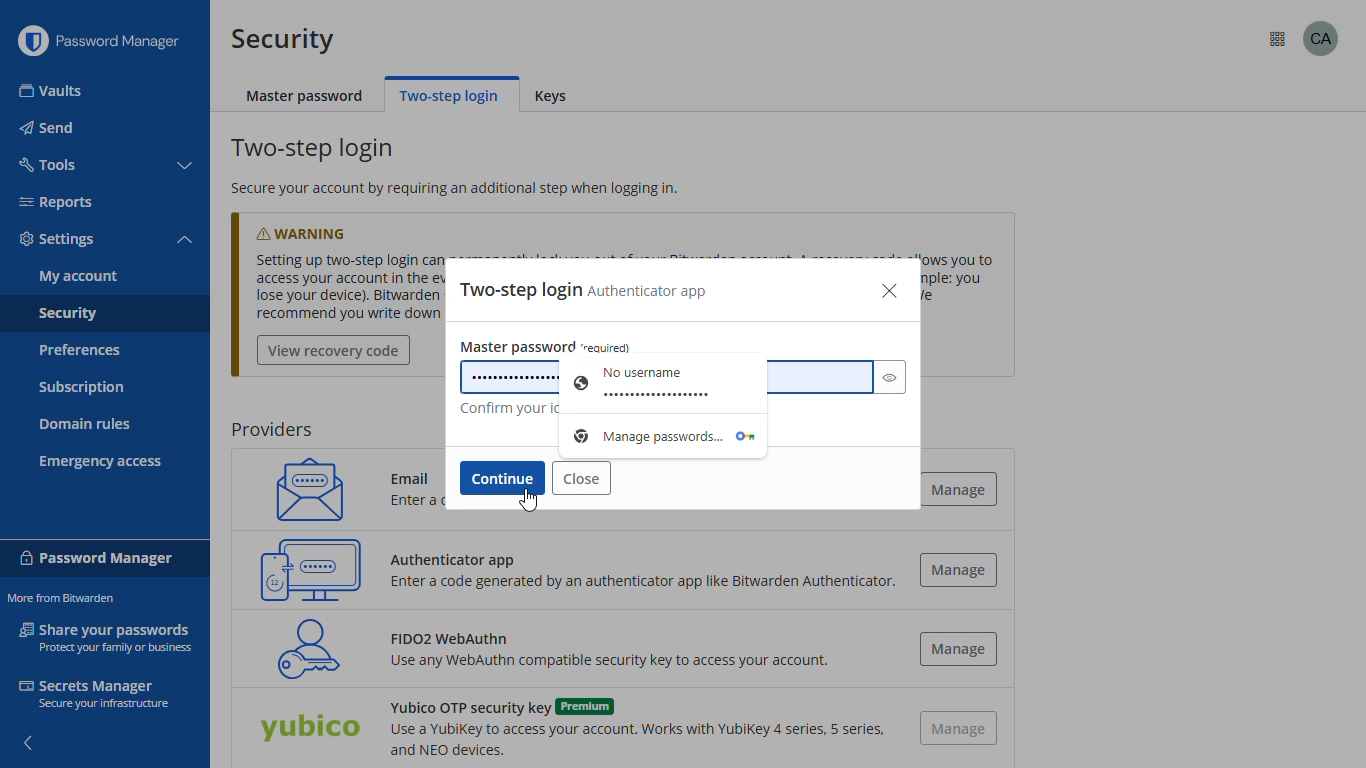  I want to click on two-step login authenticator app, so click(581, 292).